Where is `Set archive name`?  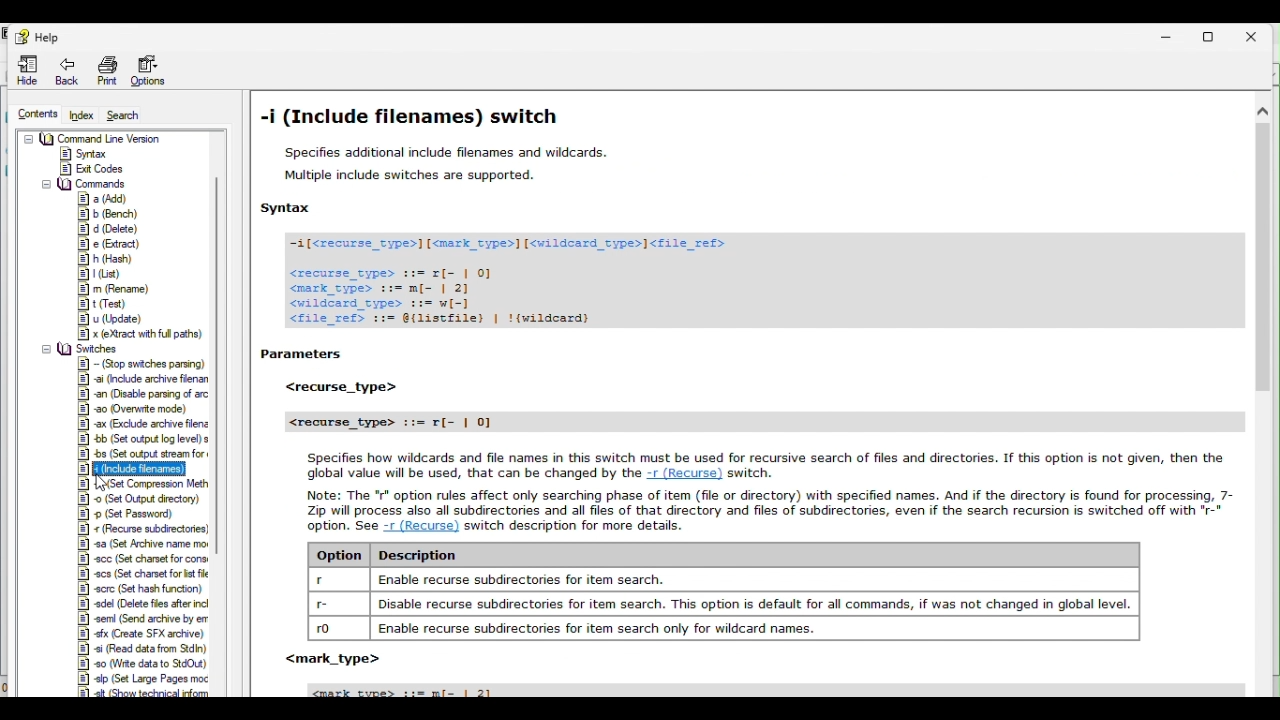 Set archive name is located at coordinates (148, 545).